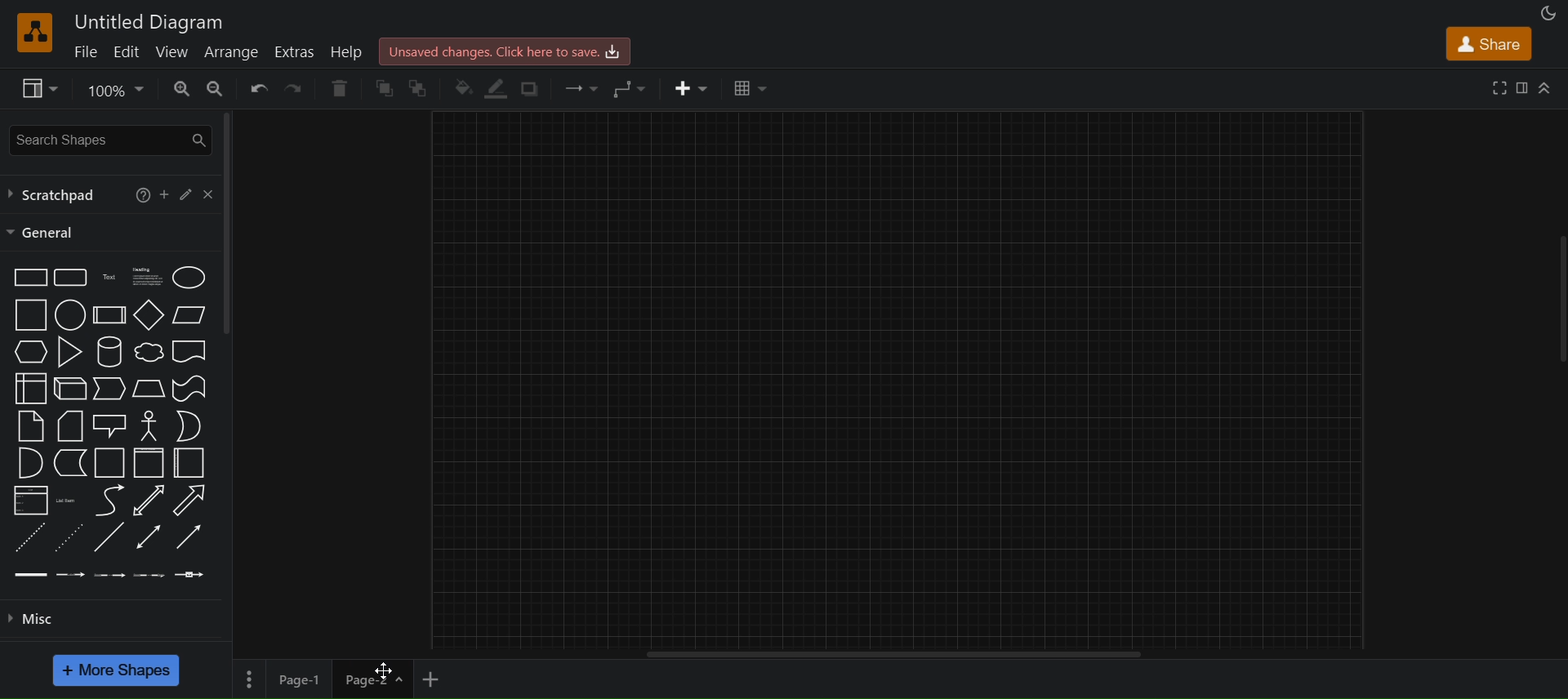  I want to click on or, so click(189, 425).